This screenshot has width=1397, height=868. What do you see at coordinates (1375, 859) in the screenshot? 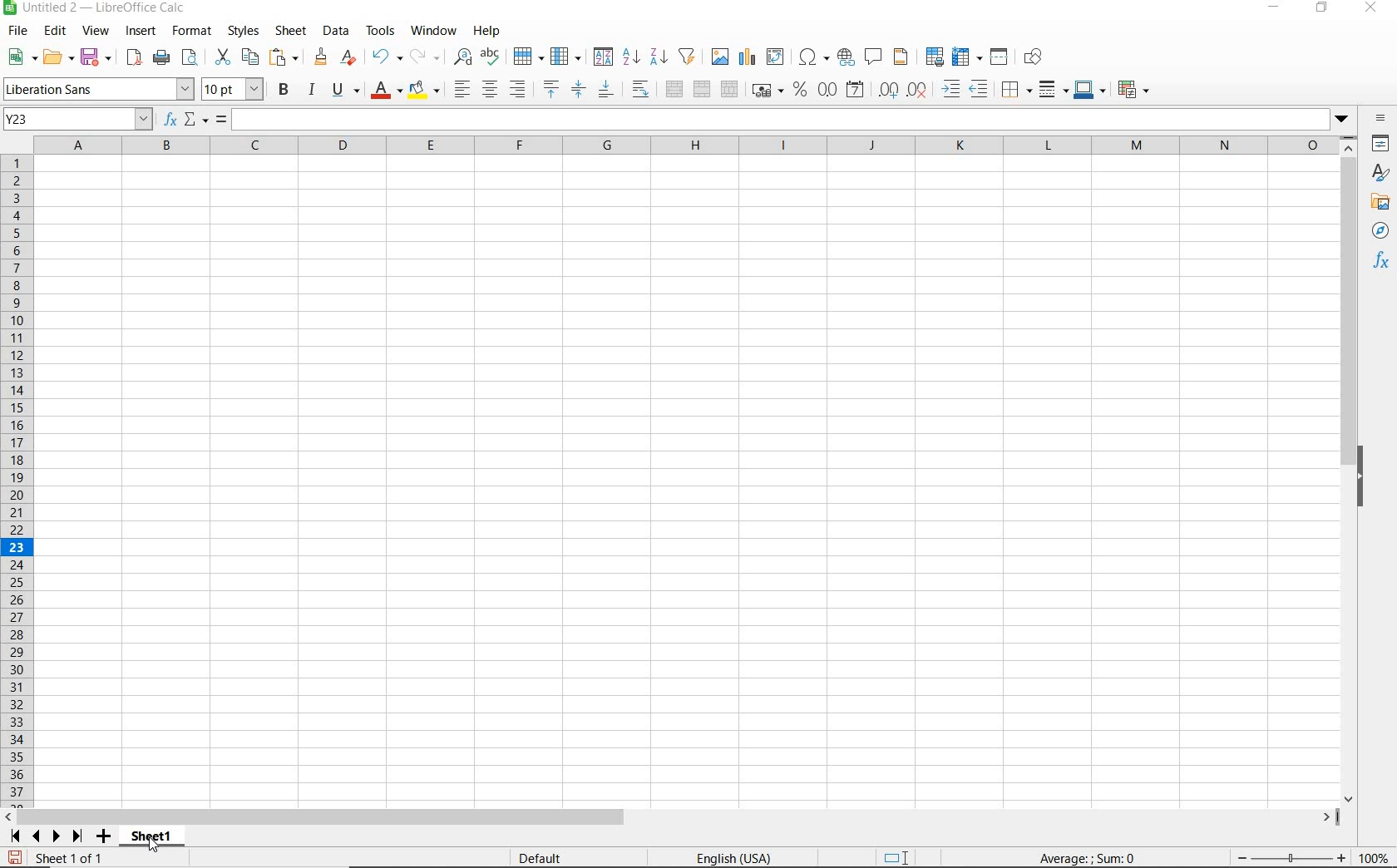
I see `ZOOM FACTOR` at bounding box center [1375, 859].